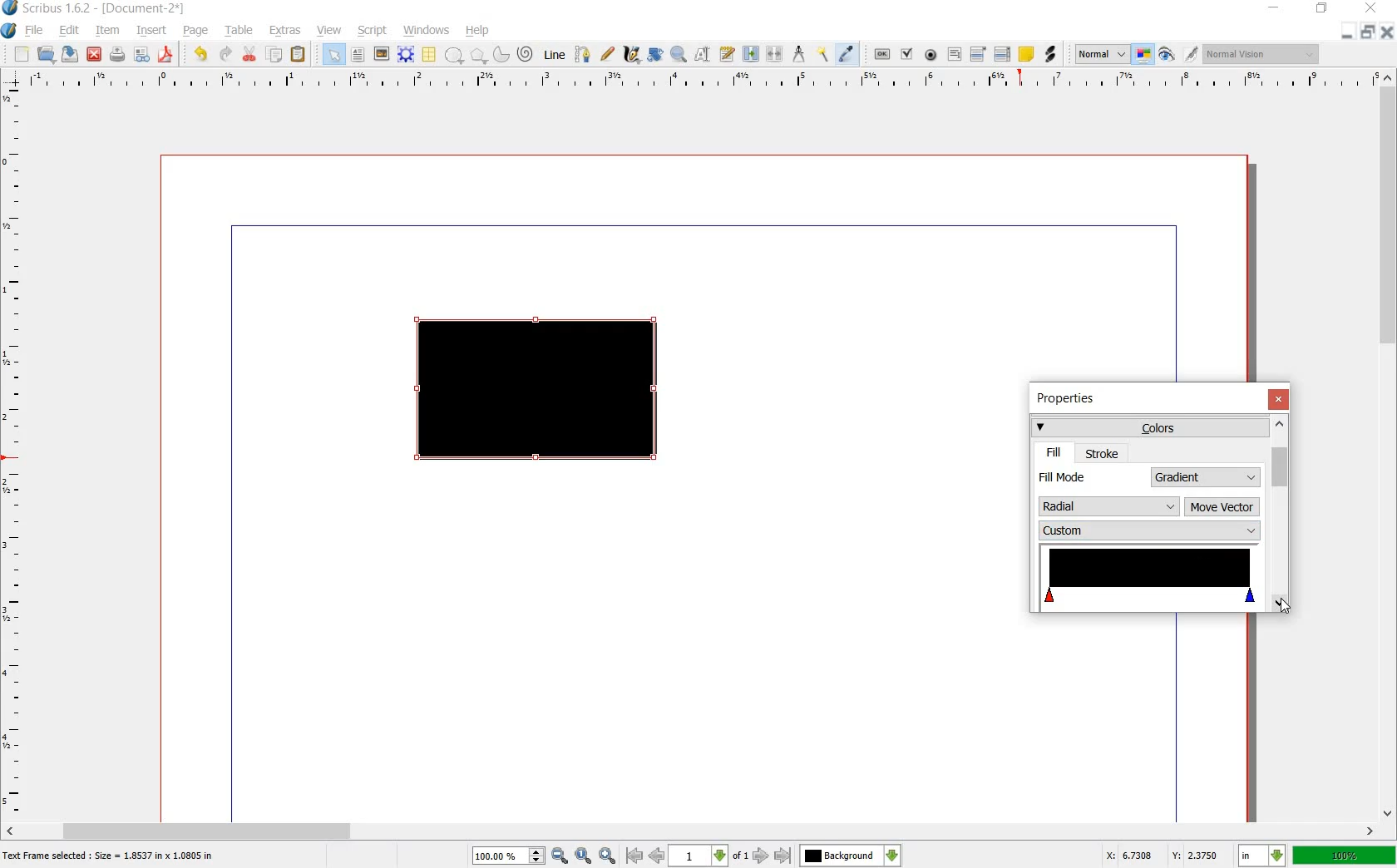  What do you see at coordinates (656, 55) in the screenshot?
I see `rotate item` at bounding box center [656, 55].